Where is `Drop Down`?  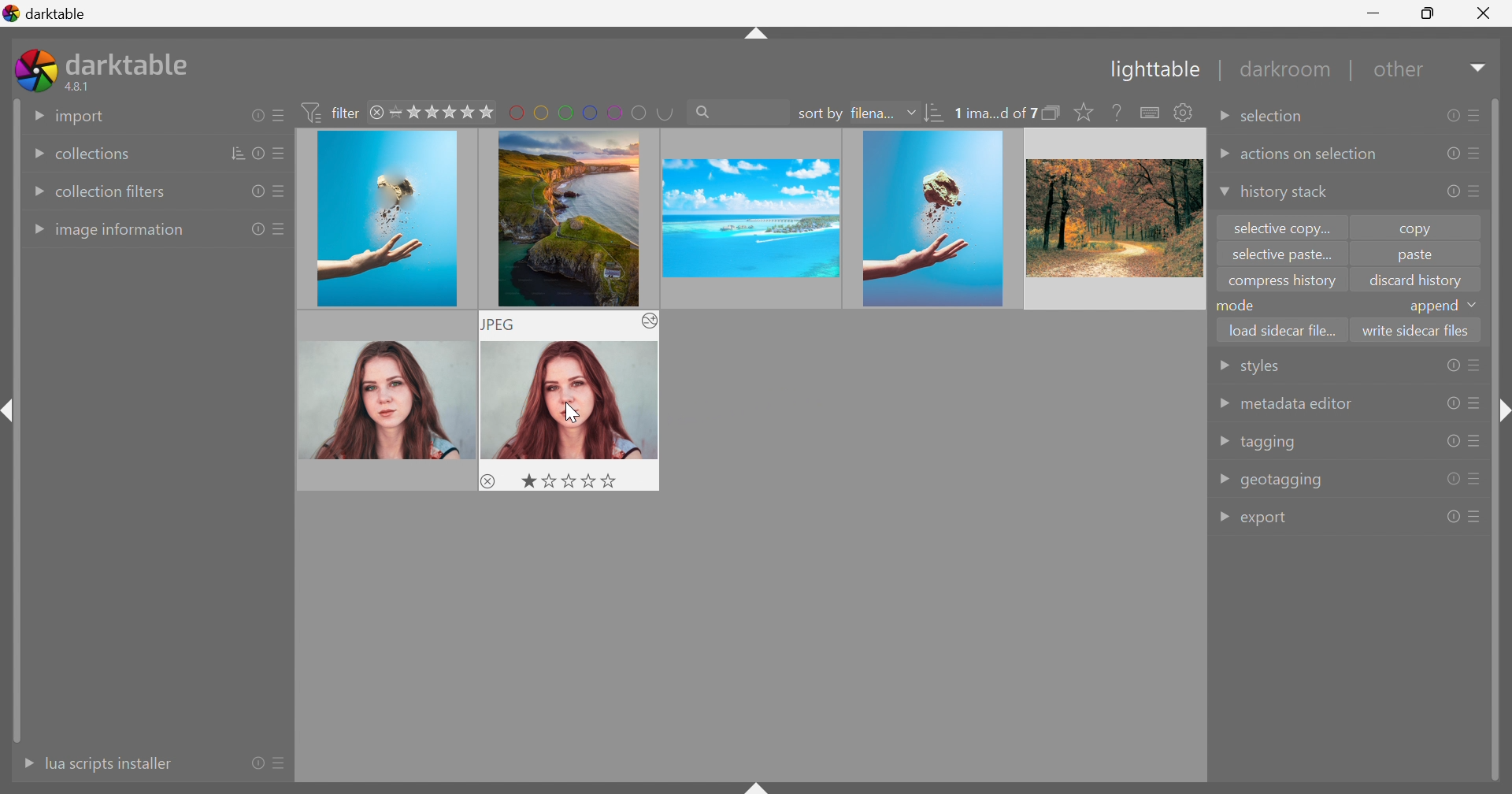 Drop Down is located at coordinates (35, 230).